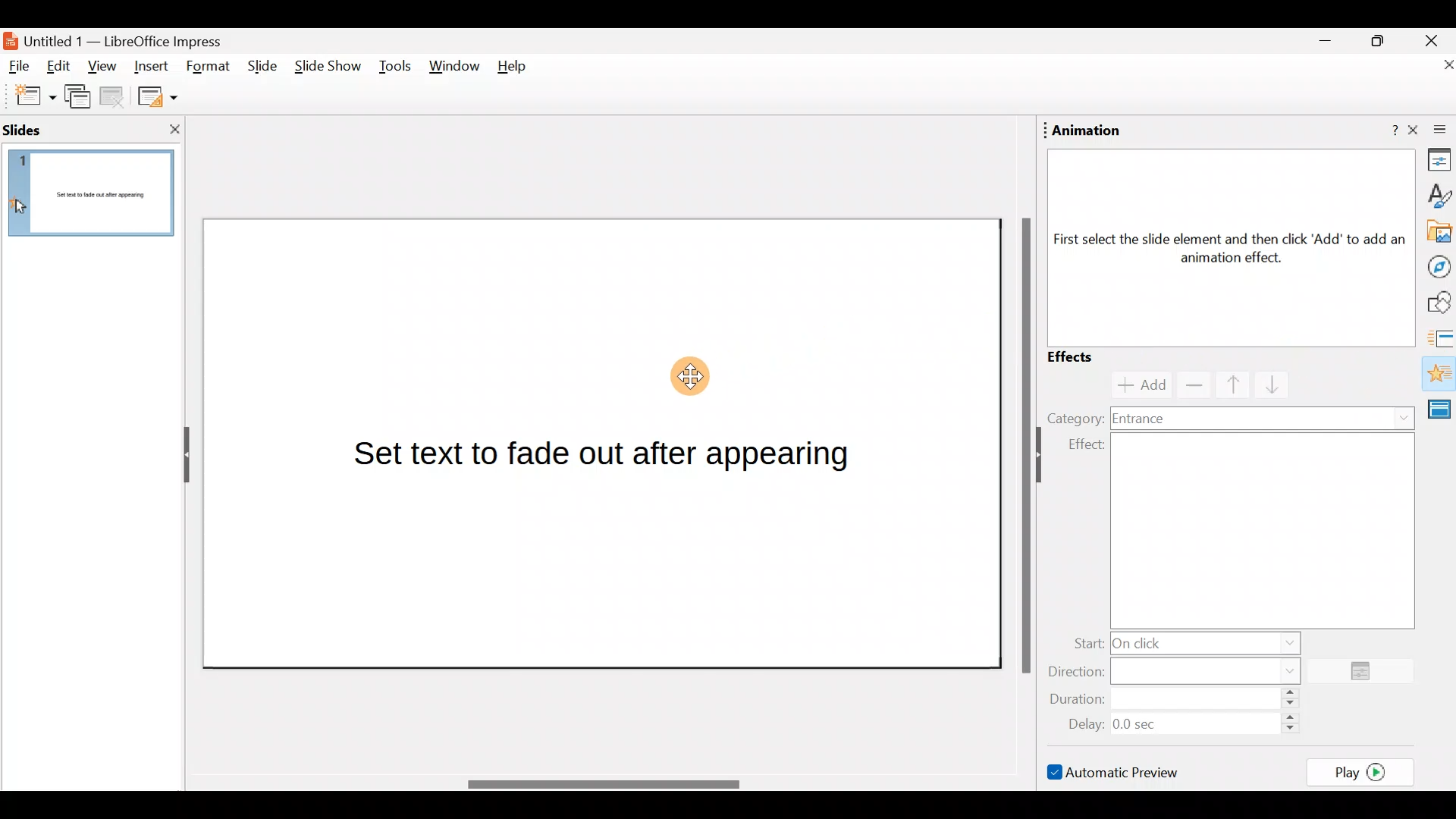  Describe the element at coordinates (49, 129) in the screenshot. I see `Slides` at that location.